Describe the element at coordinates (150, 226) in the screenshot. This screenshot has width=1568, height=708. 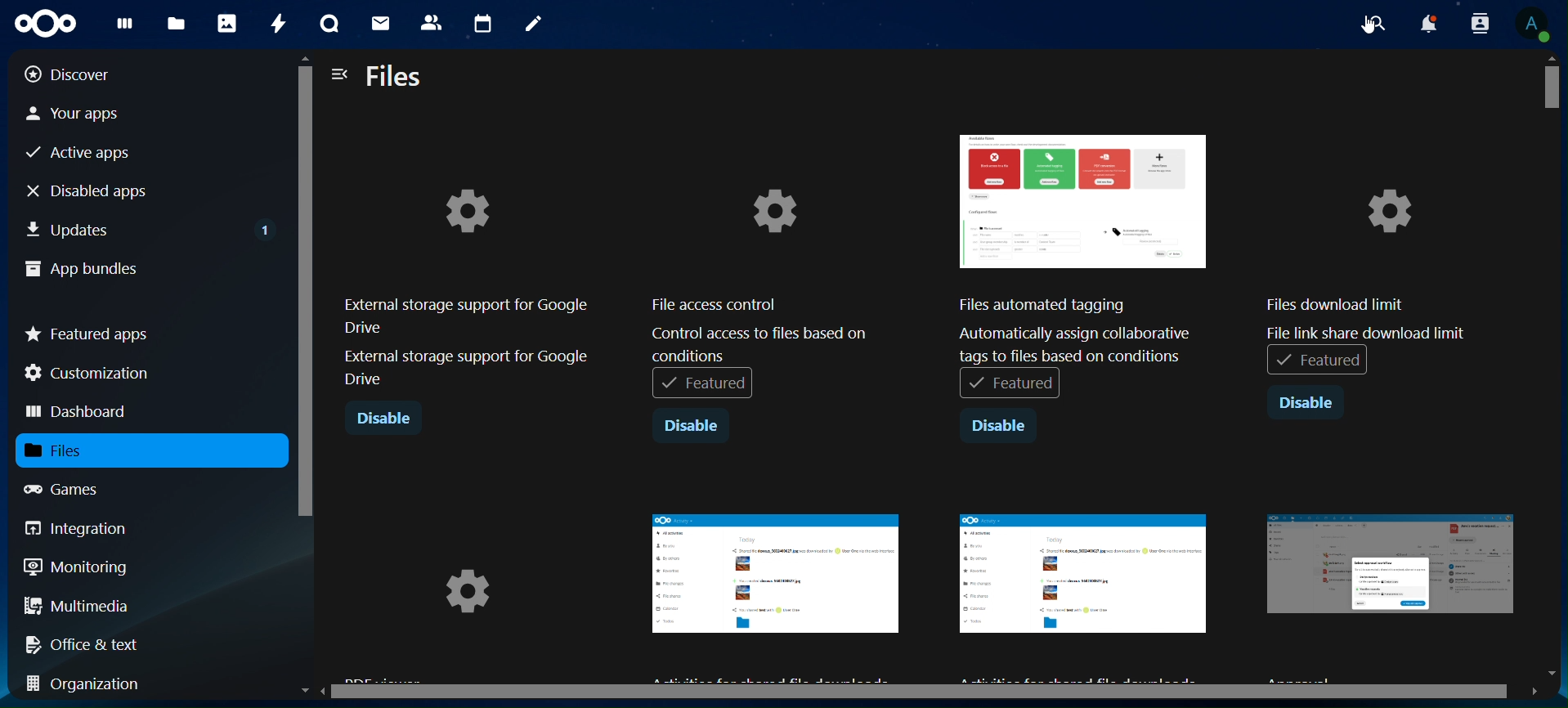
I see `updates` at that location.